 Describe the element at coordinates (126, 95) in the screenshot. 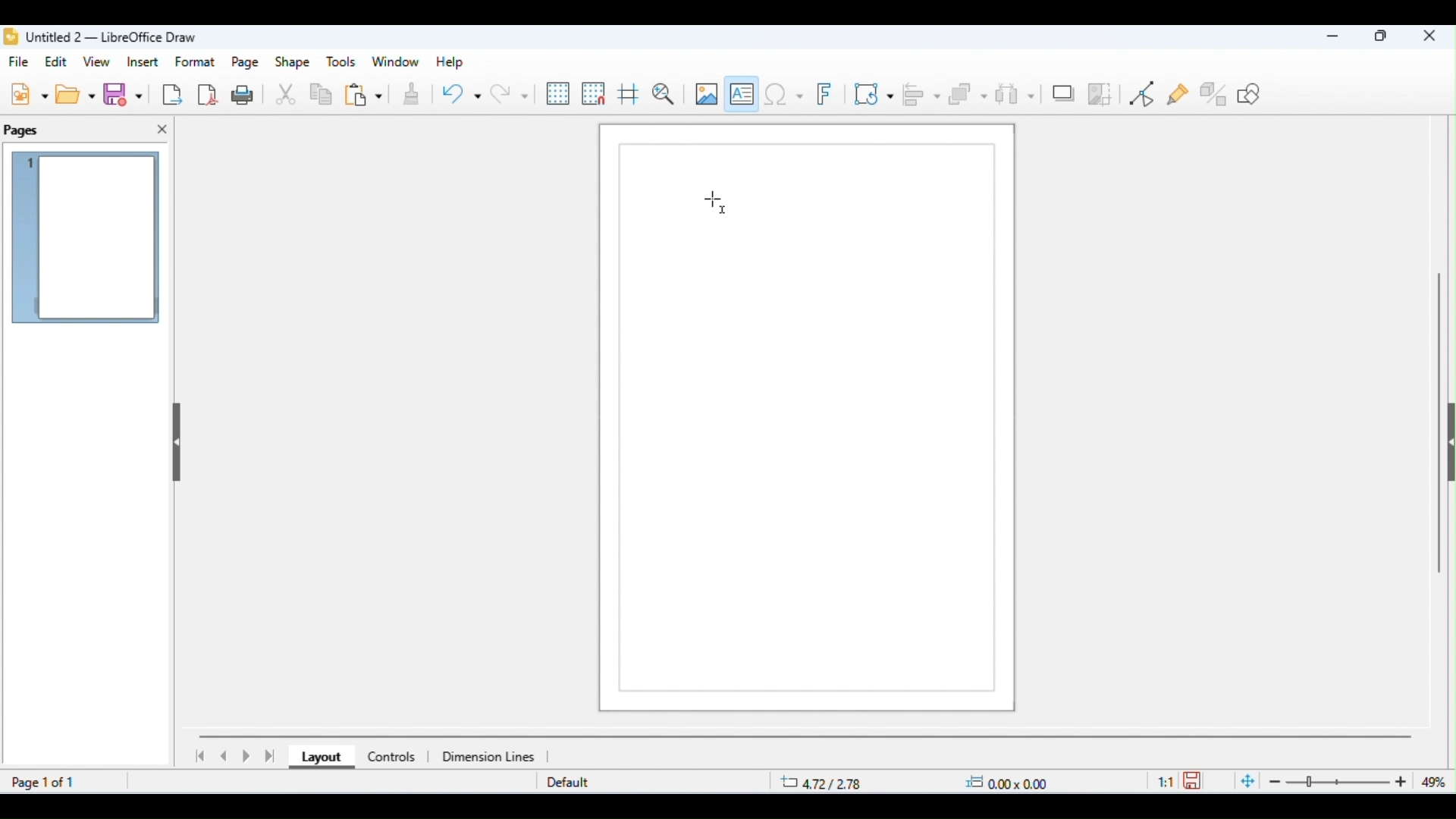

I see `save` at that location.